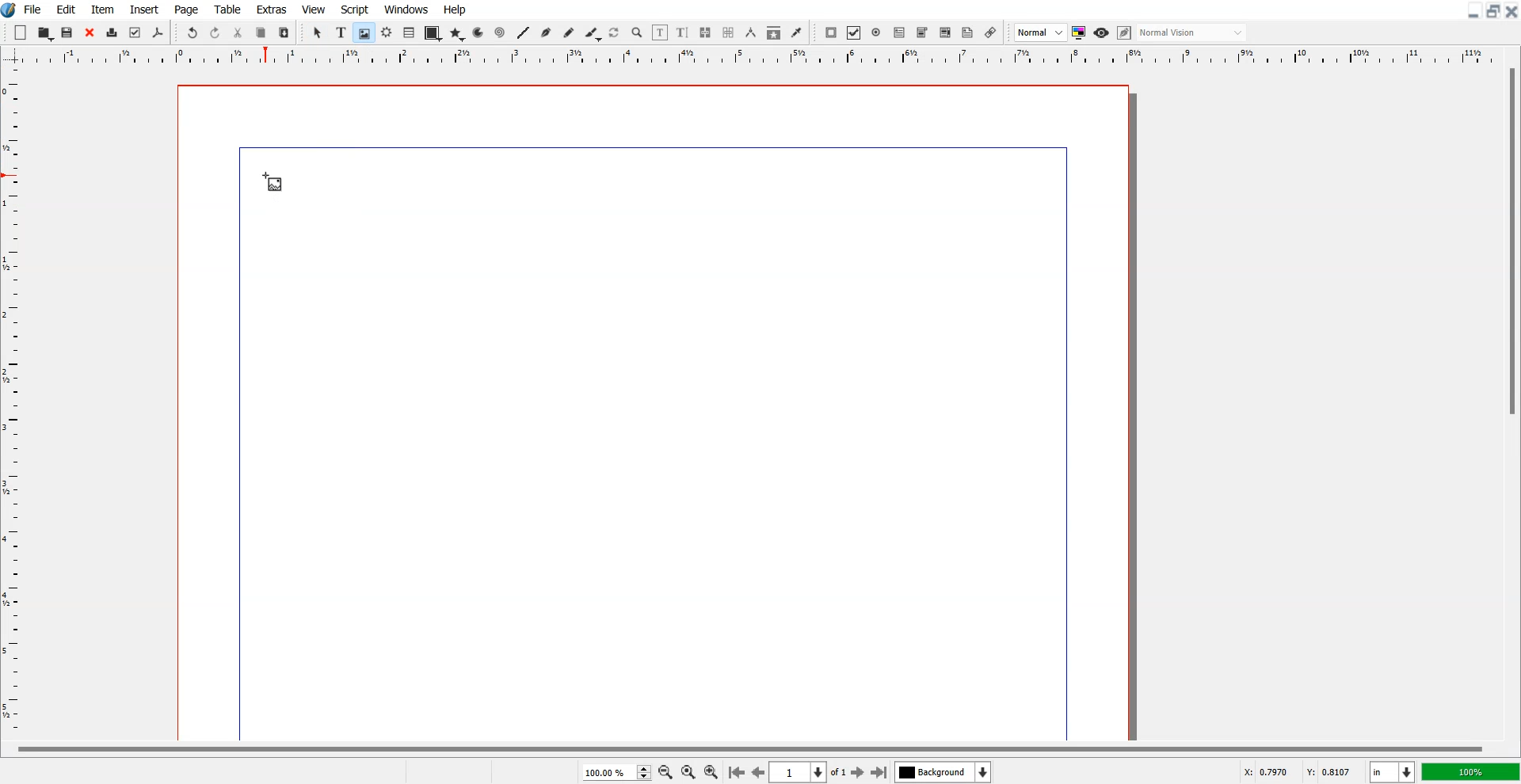 The height and width of the screenshot is (784, 1521). What do you see at coordinates (456, 10) in the screenshot?
I see `Help` at bounding box center [456, 10].